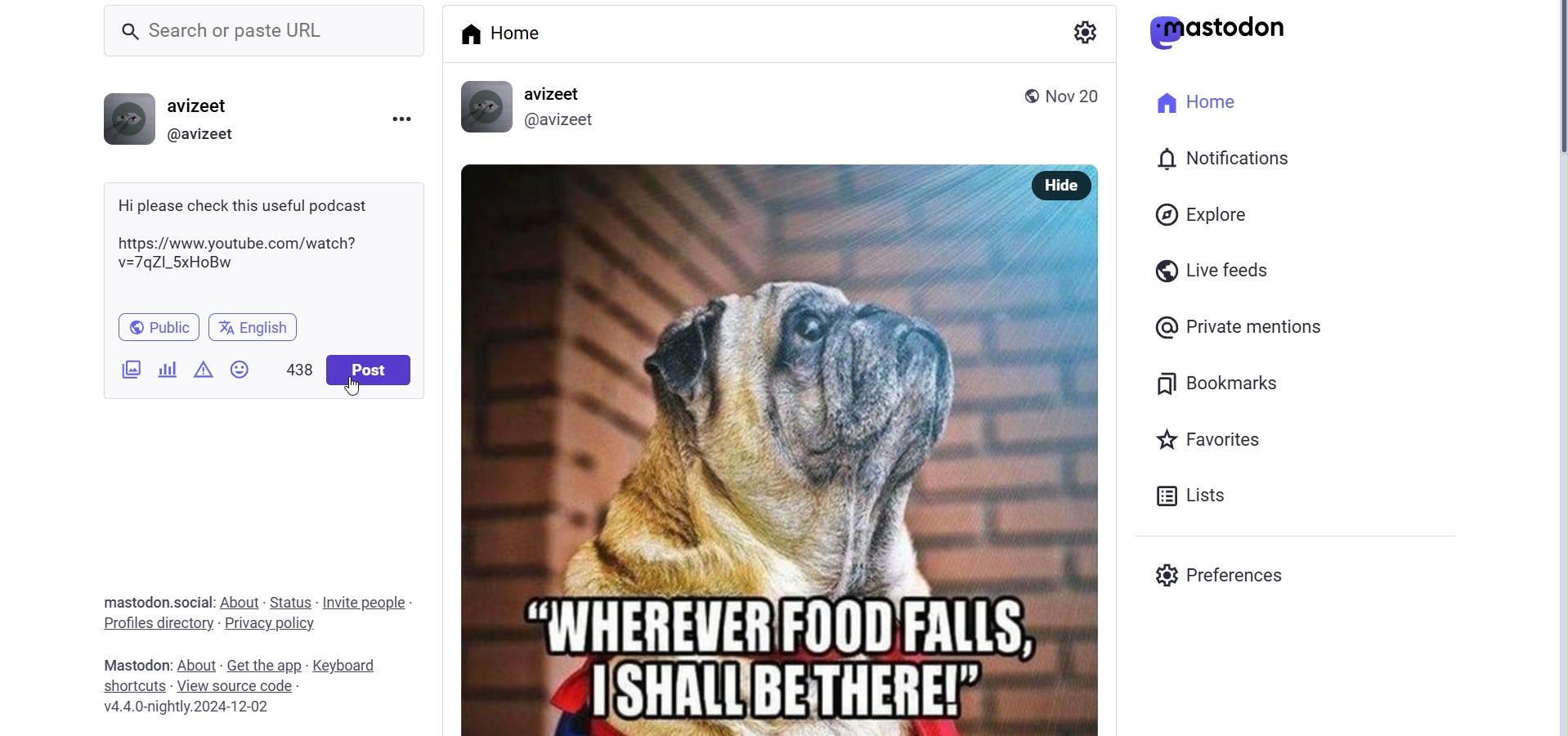 This screenshot has width=1568, height=736. Describe the element at coordinates (1195, 491) in the screenshot. I see `lists` at that location.